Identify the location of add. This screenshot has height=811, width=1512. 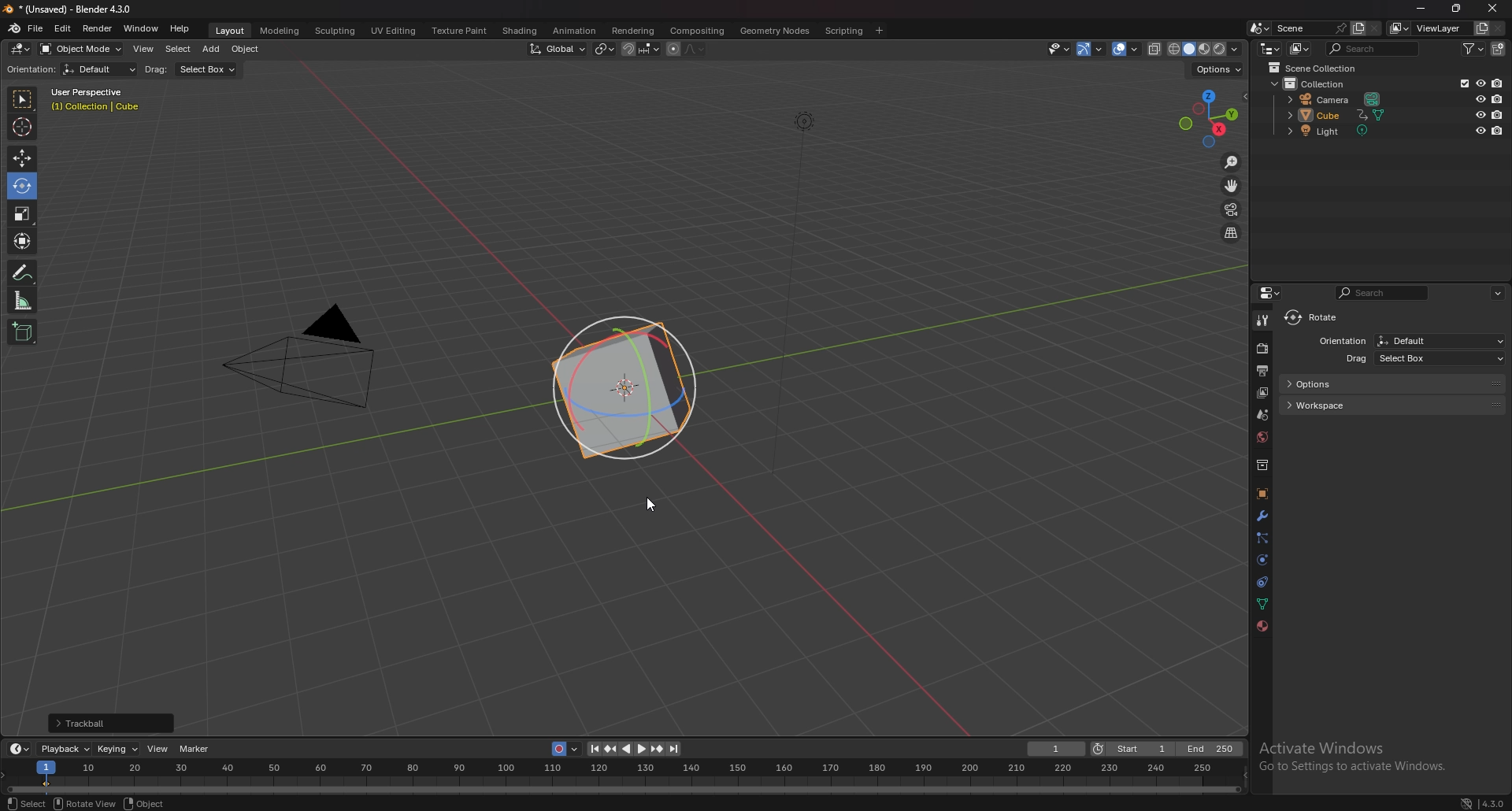
(211, 50).